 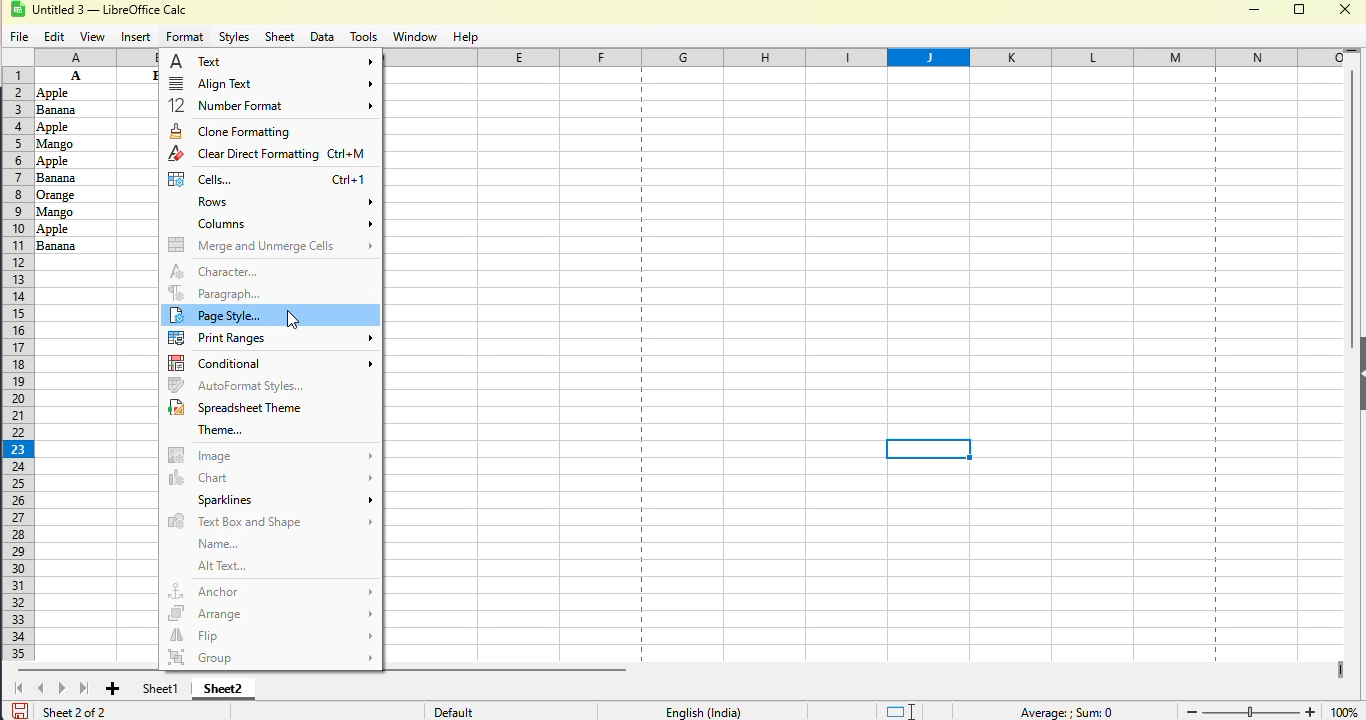 What do you see at coordinates (1345, 708) in the screenshot?
I see `100% (zoom level)` at bounding box center [1345, 708].